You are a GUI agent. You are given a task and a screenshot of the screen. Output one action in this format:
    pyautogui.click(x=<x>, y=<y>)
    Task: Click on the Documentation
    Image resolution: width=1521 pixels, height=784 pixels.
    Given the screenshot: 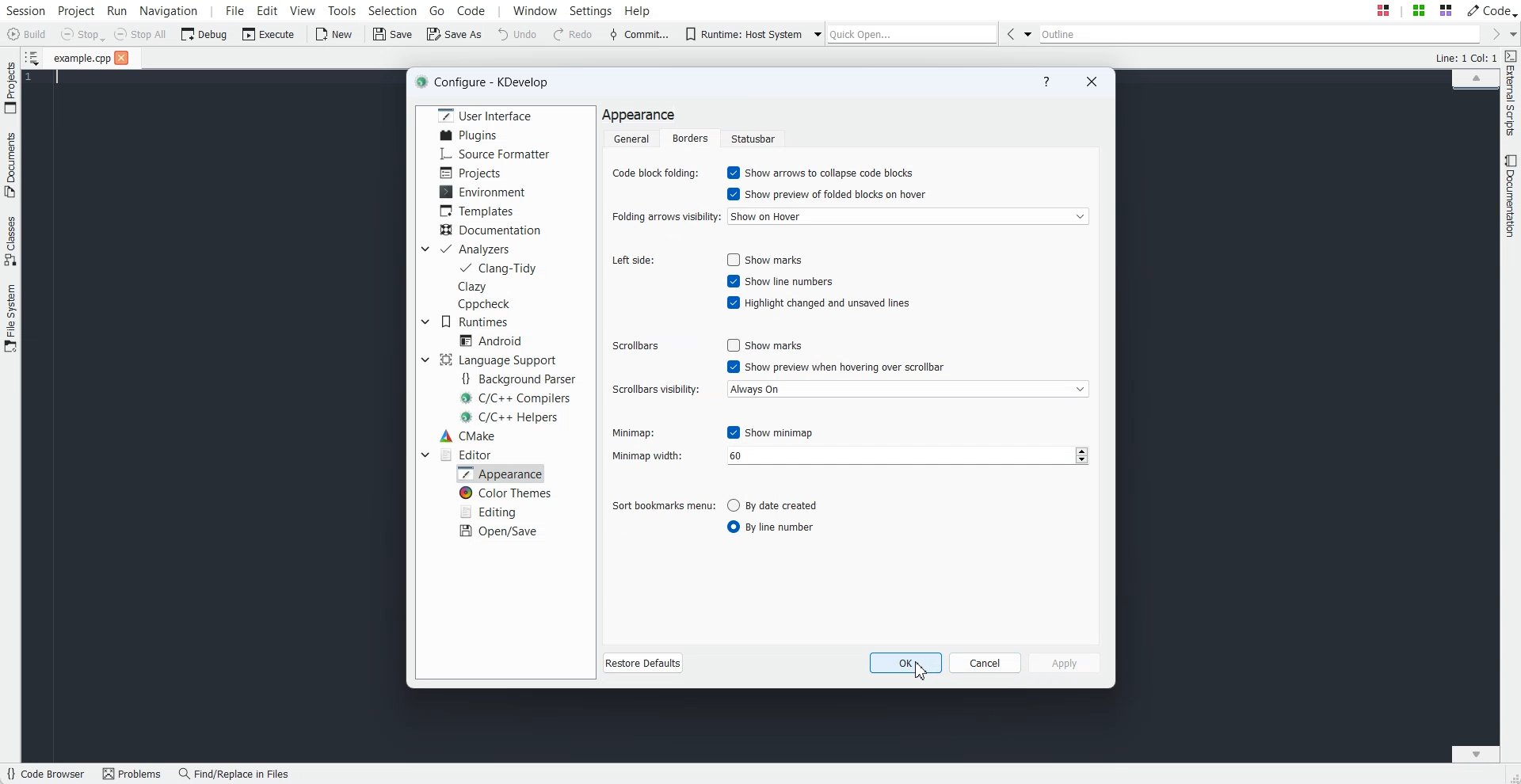 What is the action you would take?
    pyautogui.click(x=1511, y=196)
    